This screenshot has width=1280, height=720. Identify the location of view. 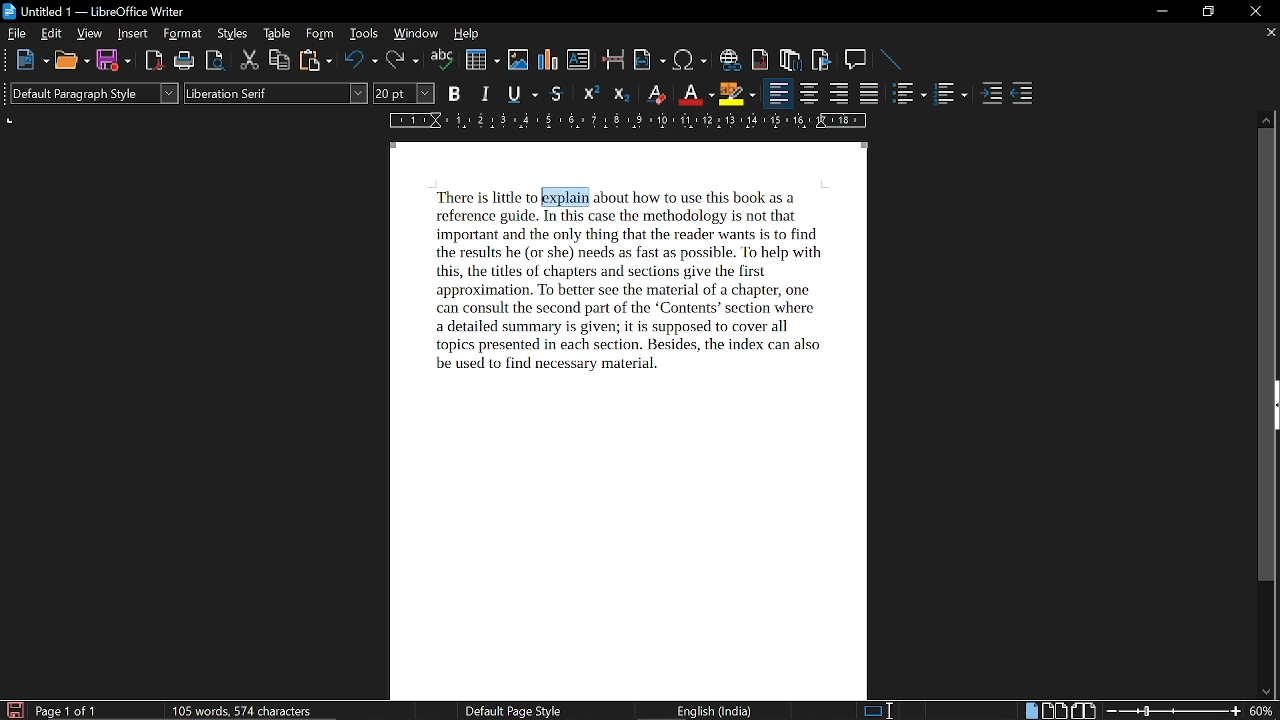
(91, 35).